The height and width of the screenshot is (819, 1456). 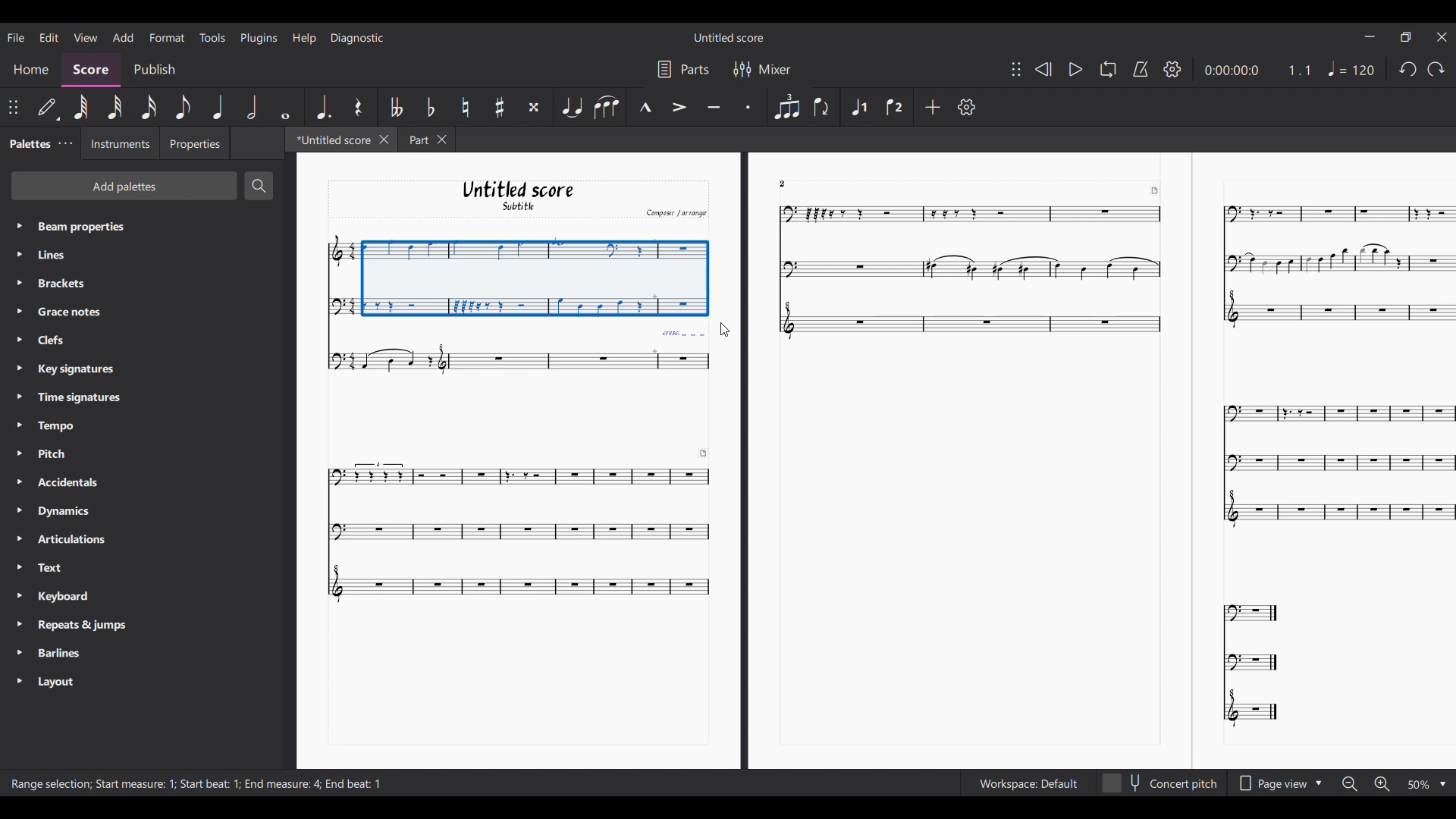 What do you see at coordinates (1269, 783) in the screenshot?
I see `Page view options` at bounding box center [1269, 783].